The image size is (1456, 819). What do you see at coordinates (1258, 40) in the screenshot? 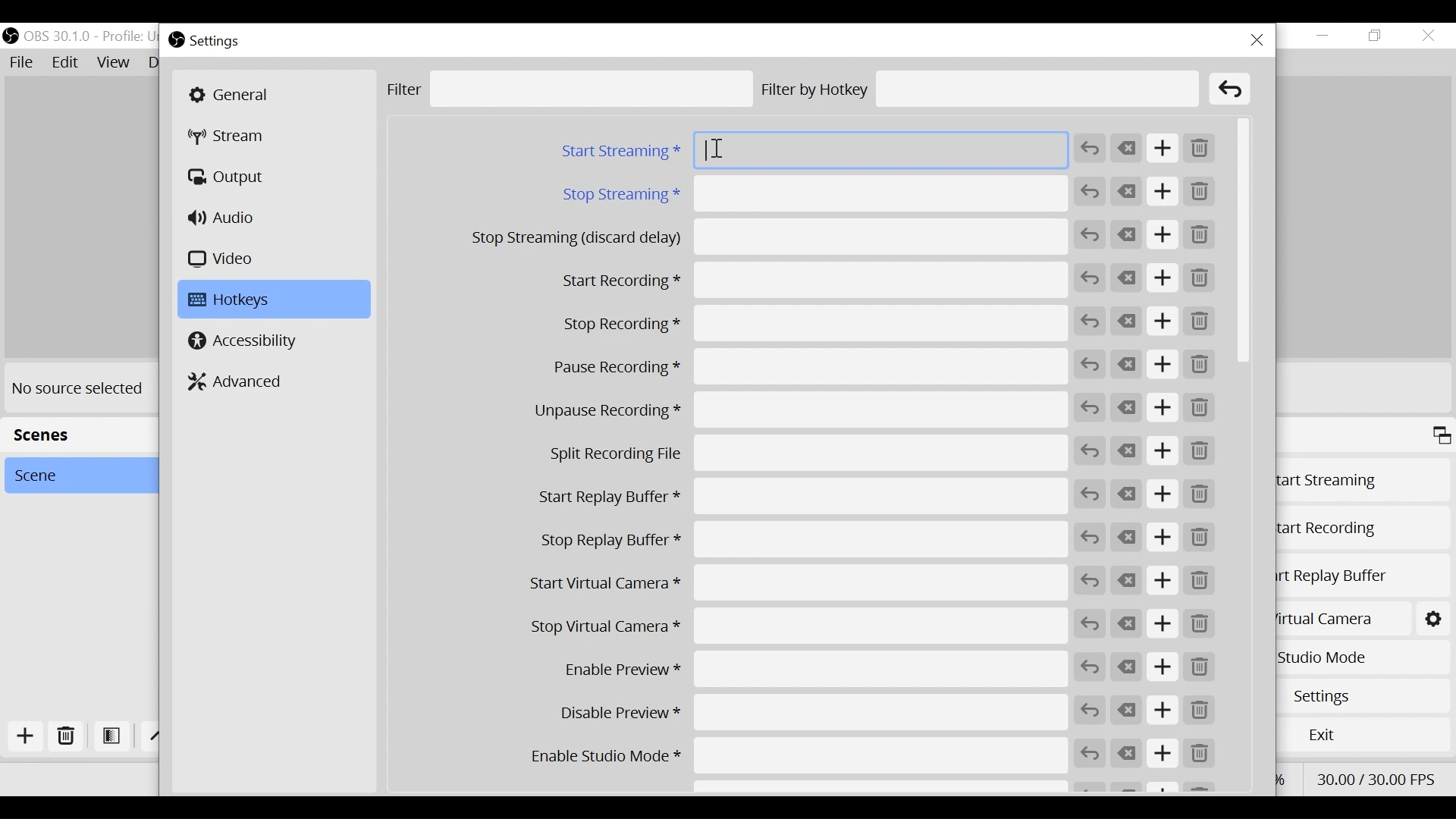
I see `Close` at bounding box center [1258, 40].